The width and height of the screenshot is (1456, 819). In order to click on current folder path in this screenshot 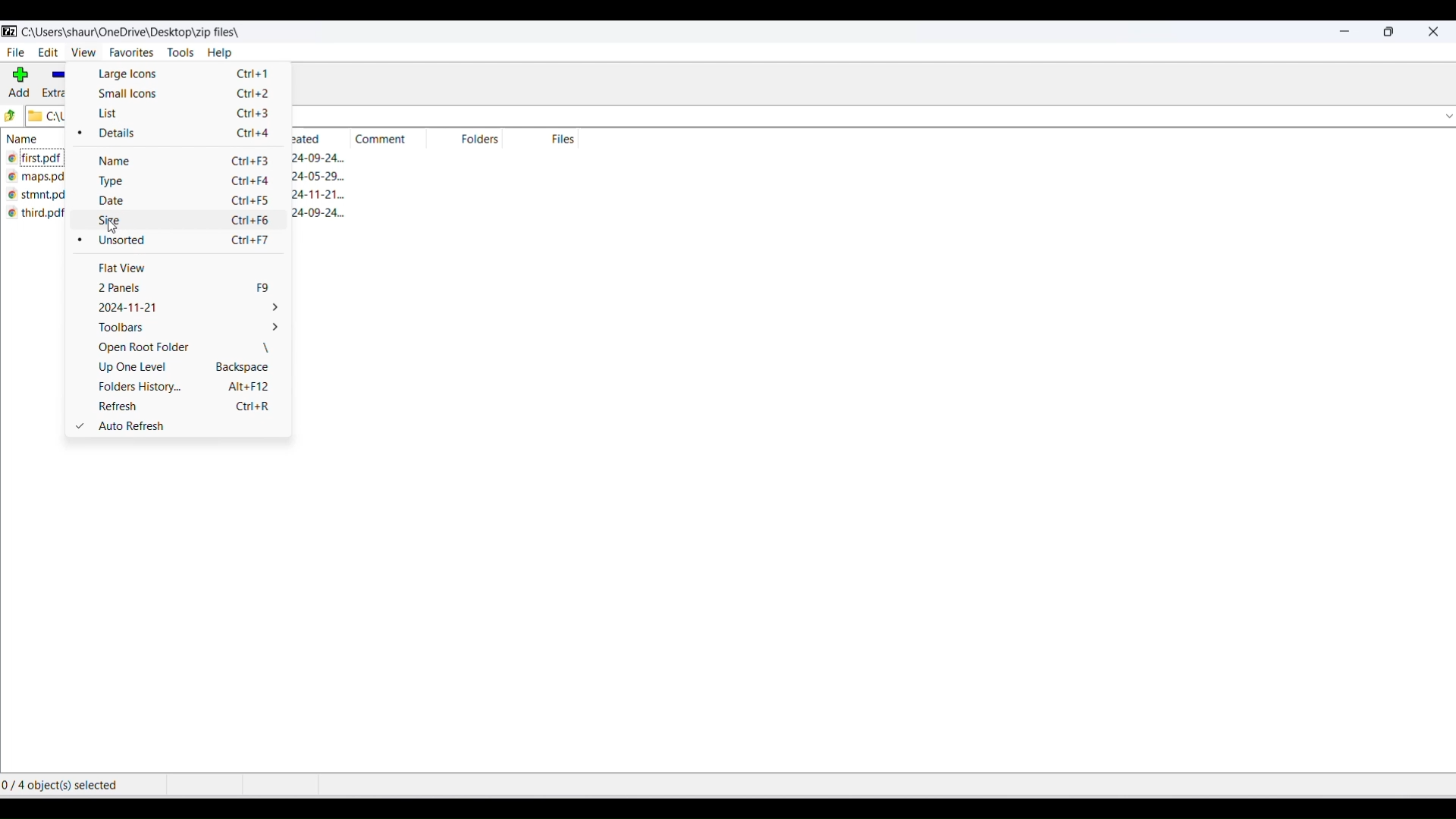, I will do `click(143, 32)`.